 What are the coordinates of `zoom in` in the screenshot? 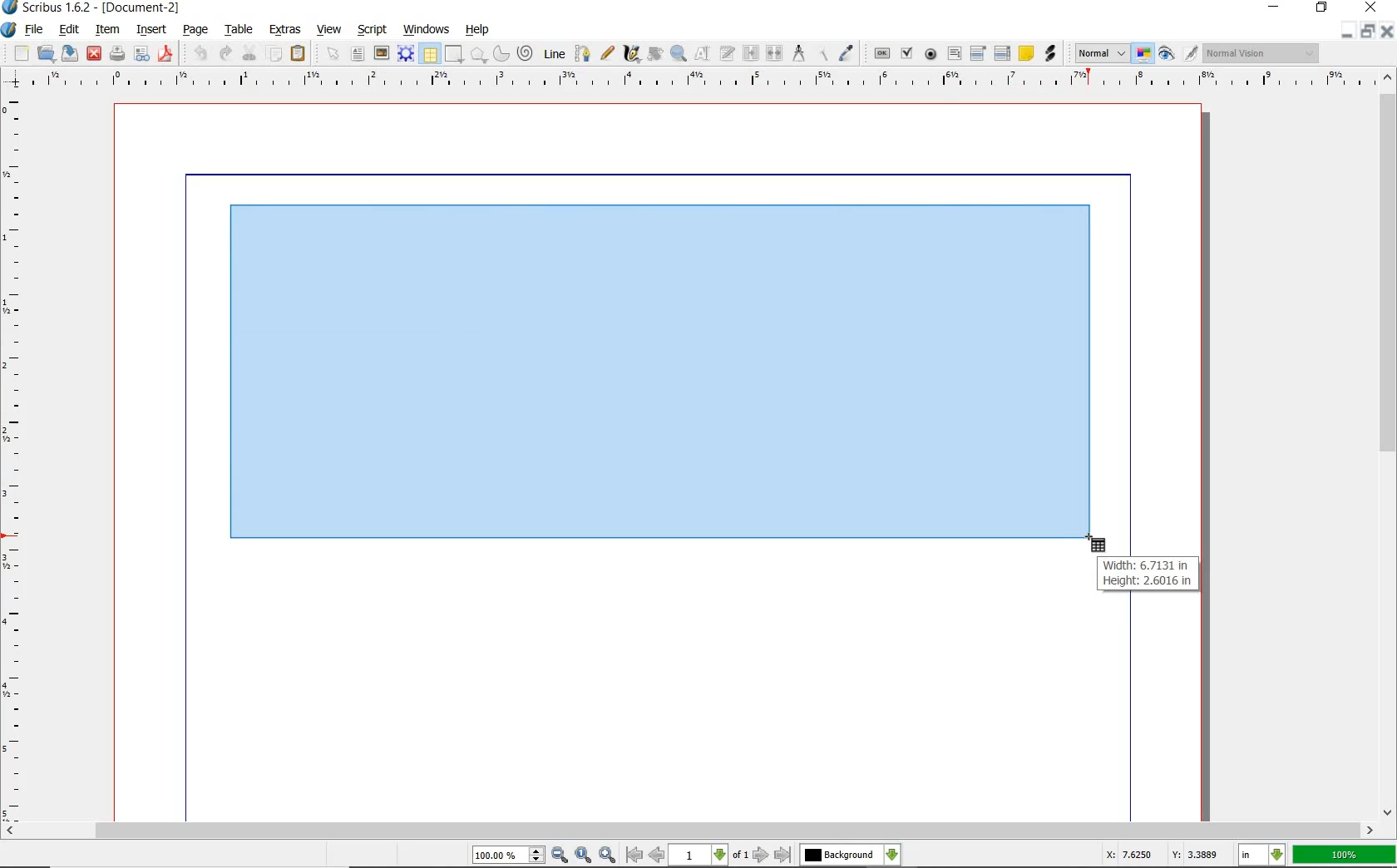 It's located at (606, 856).